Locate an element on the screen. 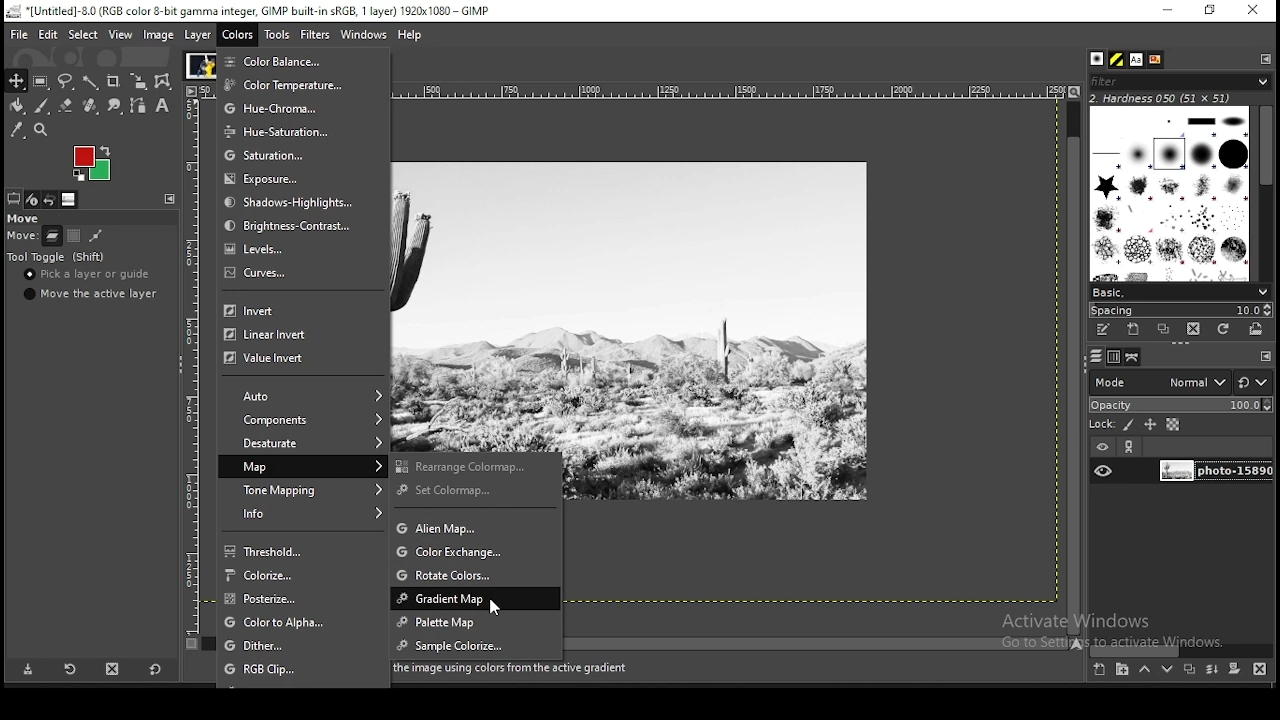  move layer one step up is located at coordinates (1144, 669).